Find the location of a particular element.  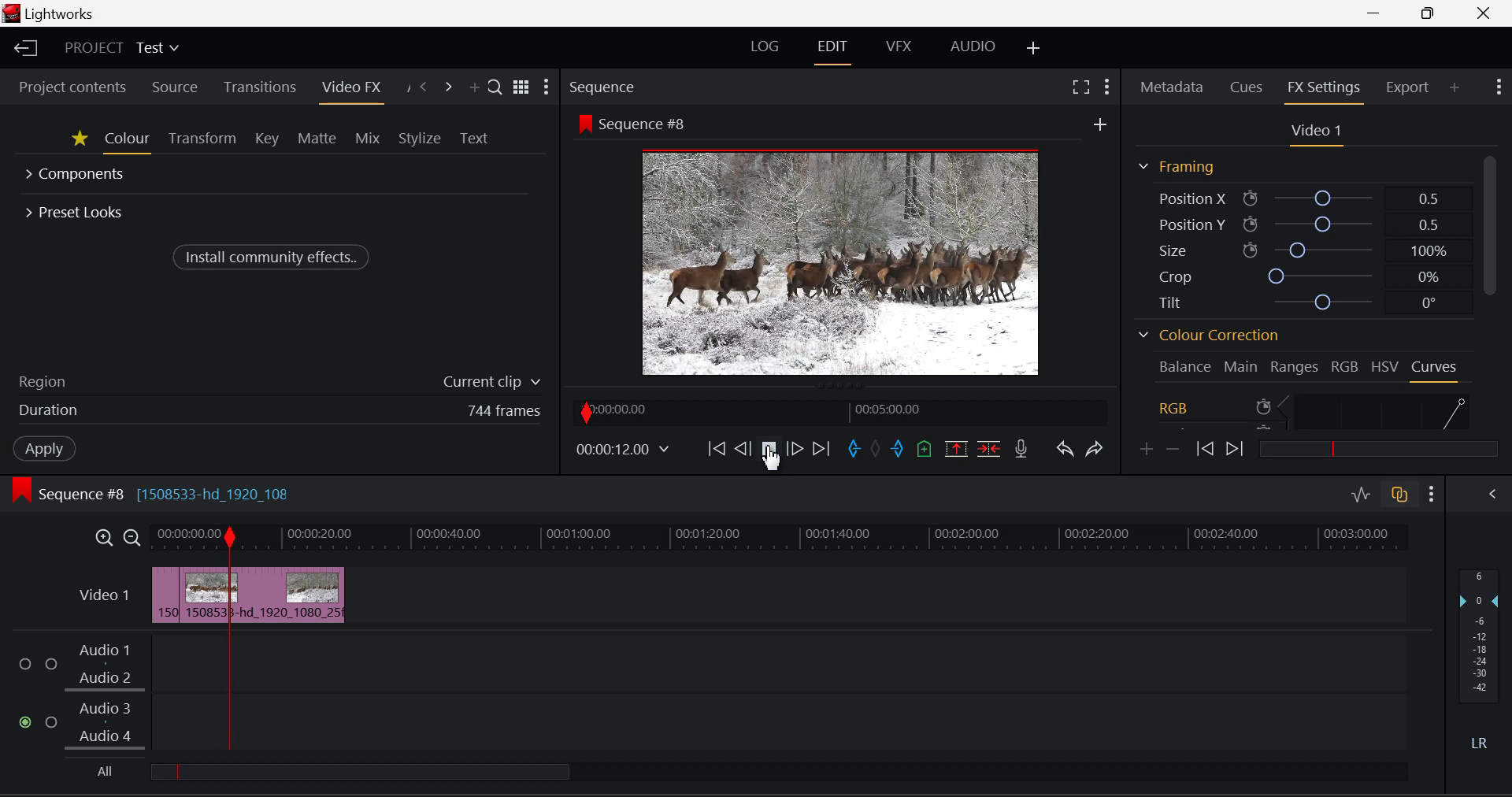

Mark Cue is located at coordinates (922, 451).